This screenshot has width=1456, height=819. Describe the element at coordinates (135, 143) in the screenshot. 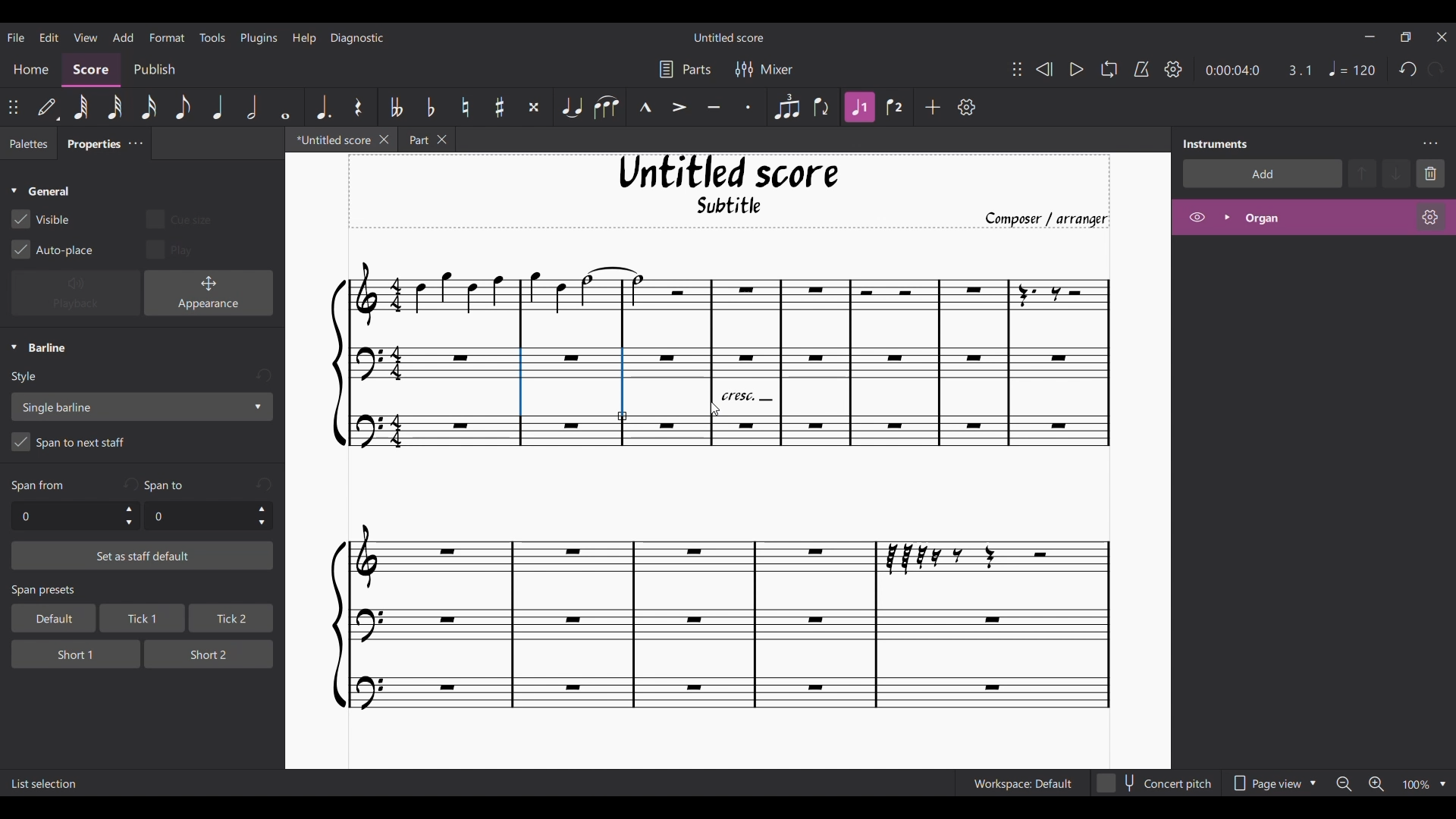

I see `Close/Undock Properties tab` at that location.